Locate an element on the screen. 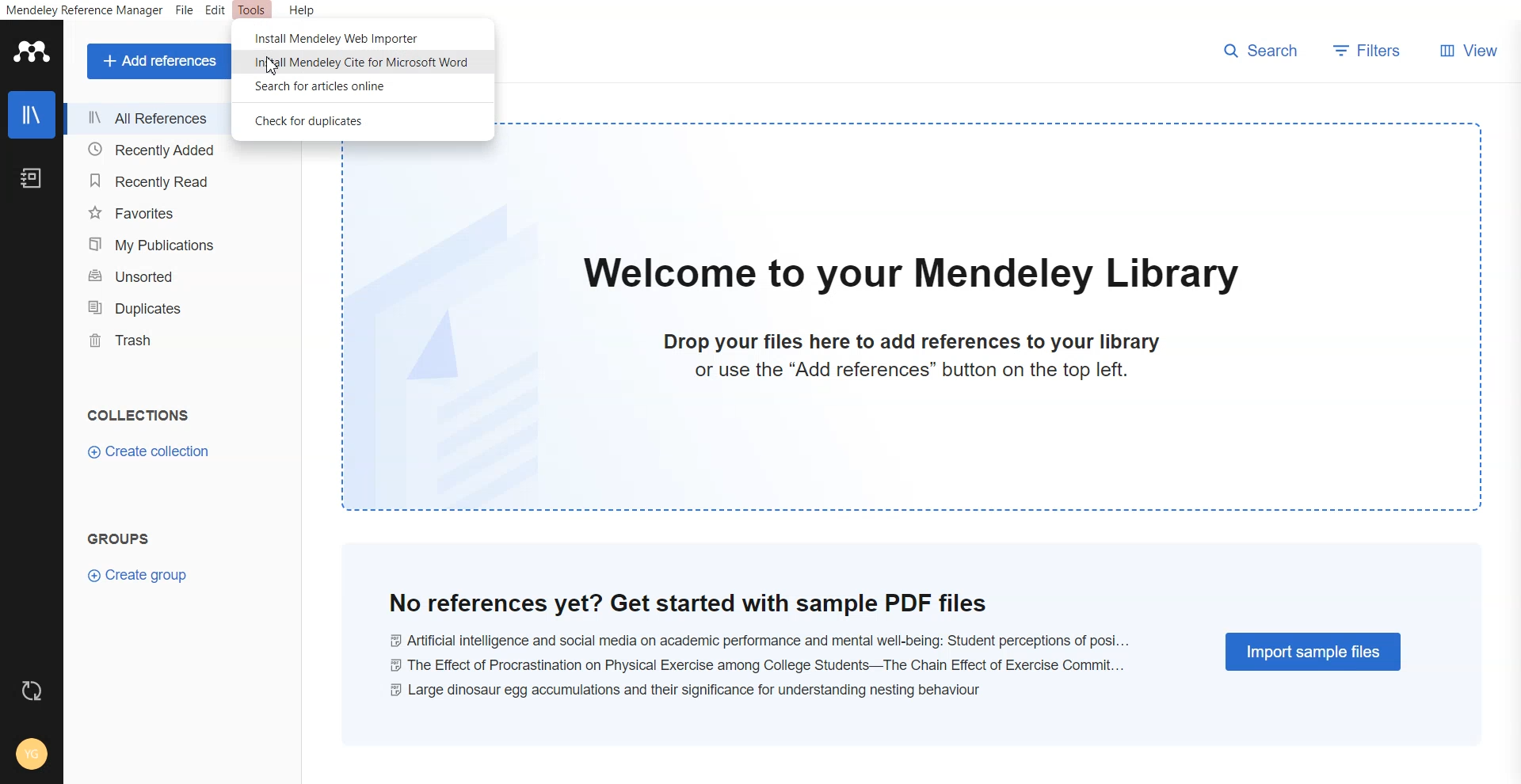 Image resolution: width=1521 pixels, height=784 pixels. no references yet? get started with sample PDF files is located at coordinates (688, 602).